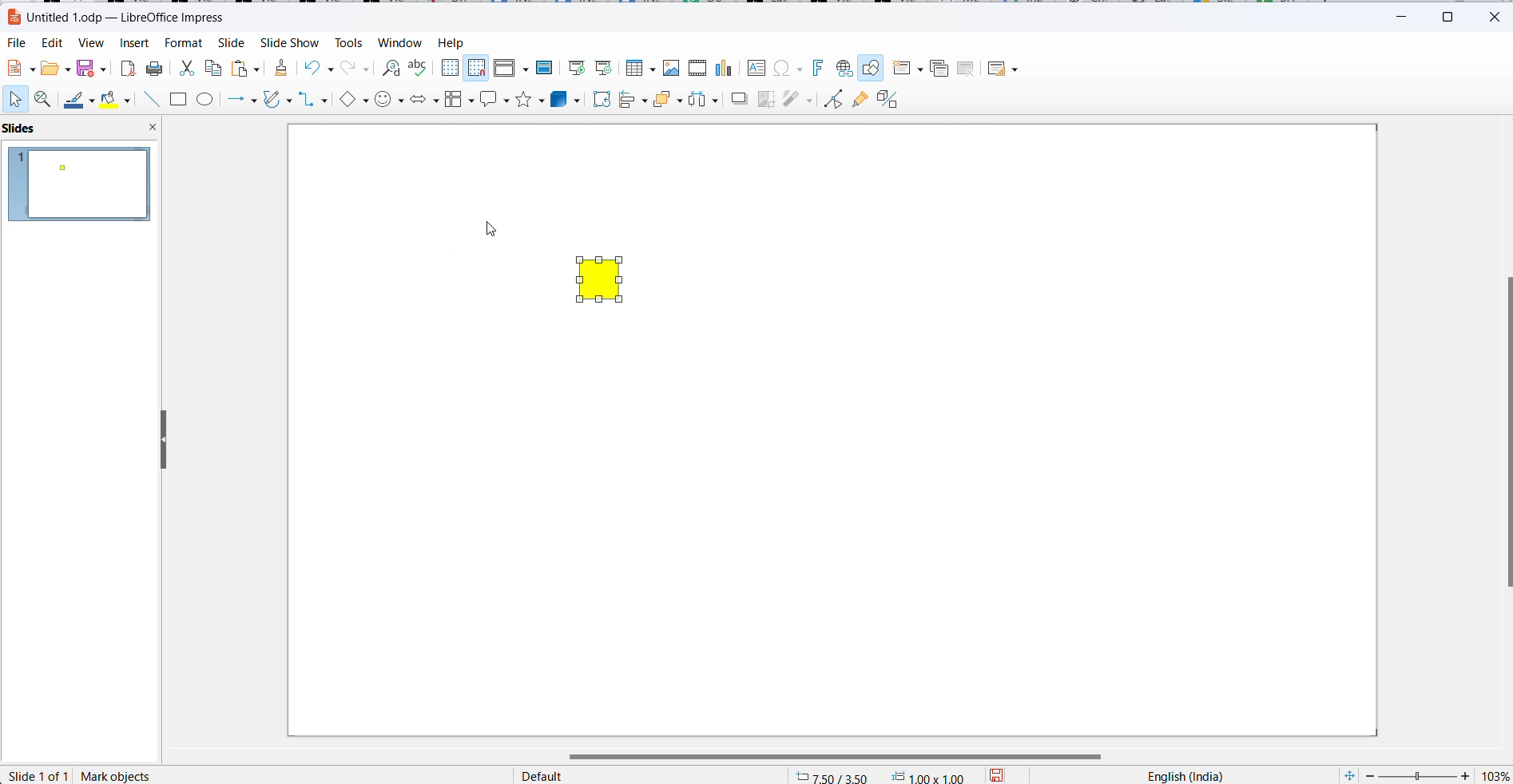 This screenshot has height=784, width=1513. What do you see at coordinates (530, 100) in the screenshot?
I see `star shapes` at bounding box center [530, 100].